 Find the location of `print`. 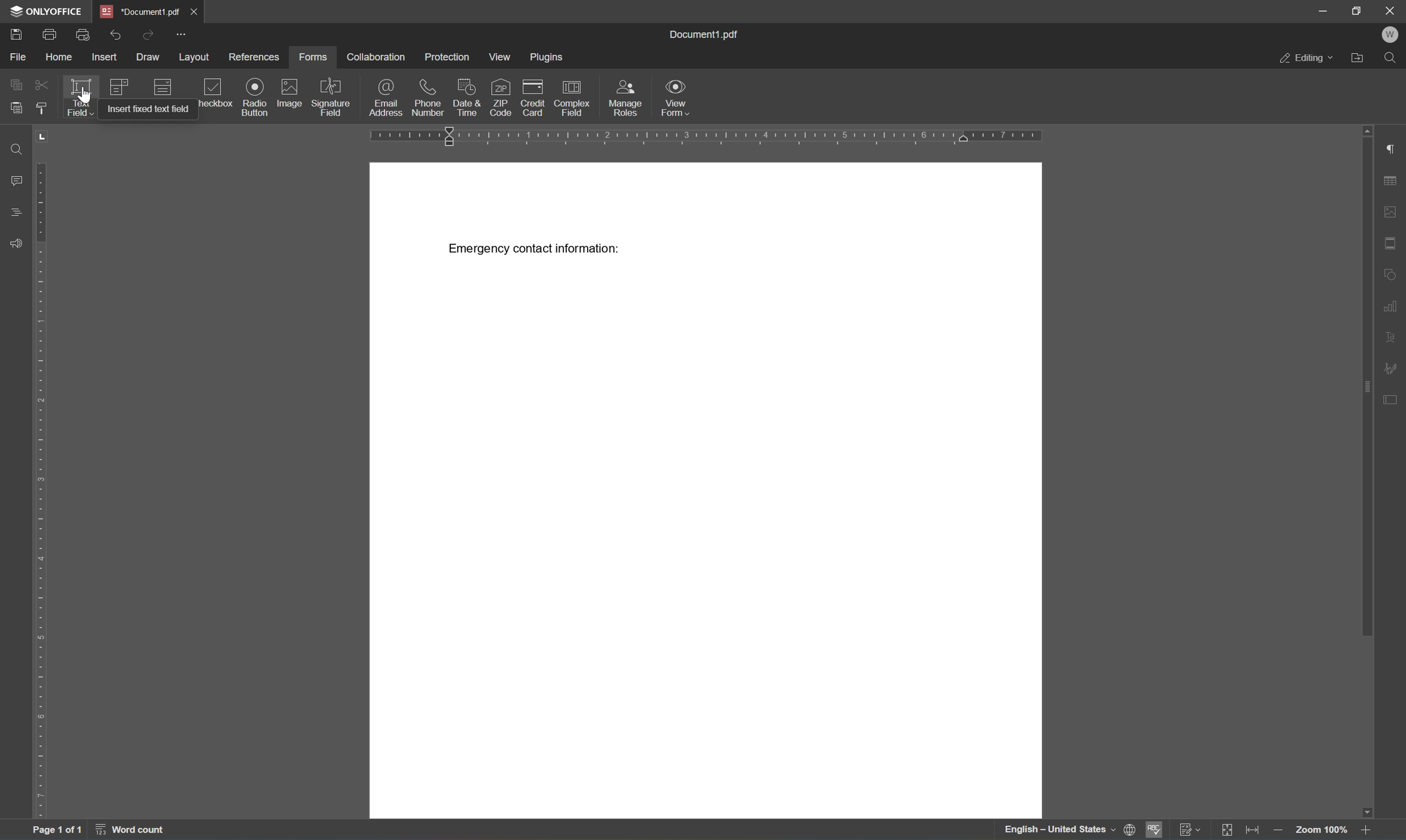

print is located at coordinates (49, 36).